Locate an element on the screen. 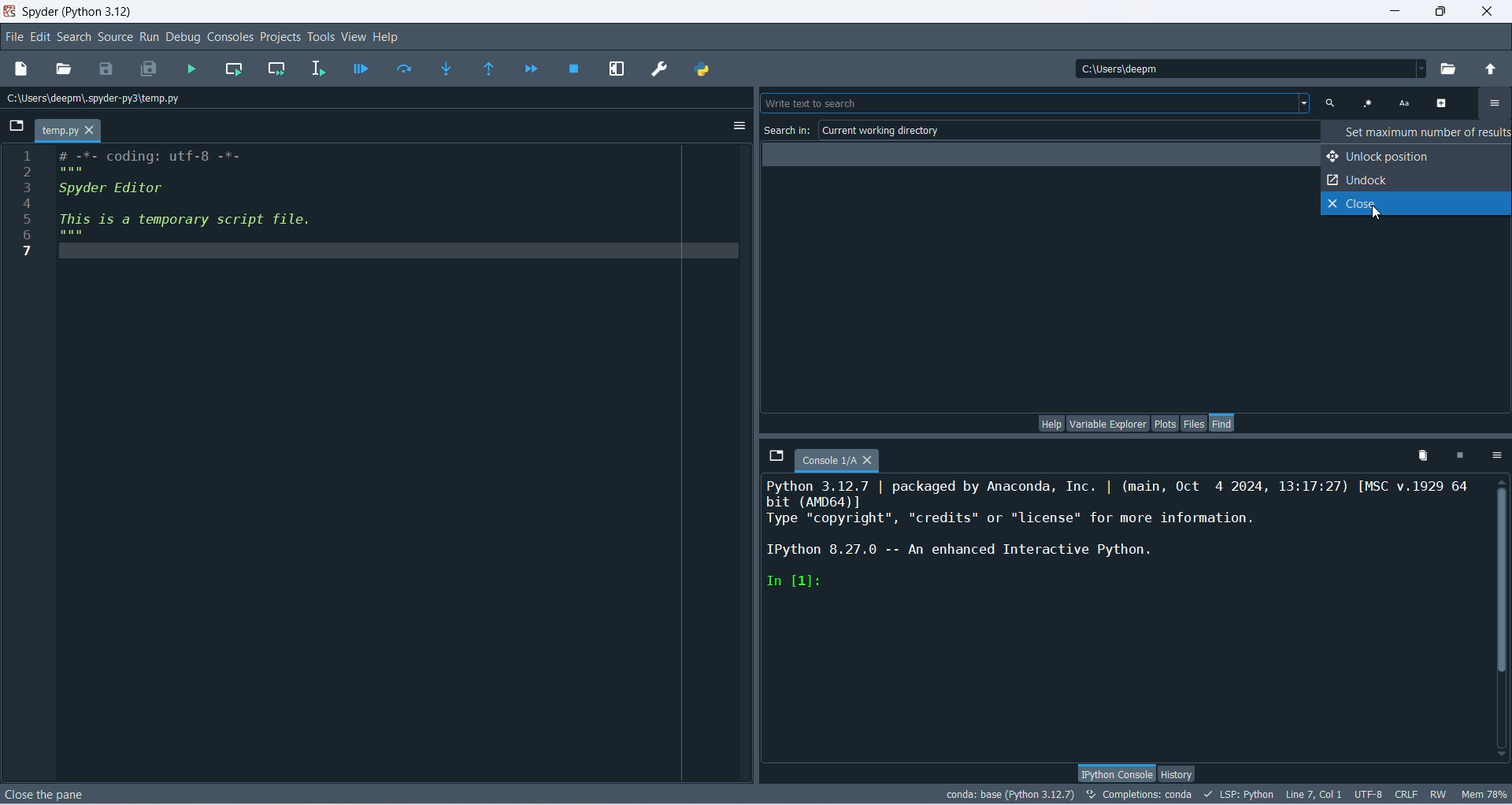 The height and width of the screenshot is (805, 1512). run current line is located at coordinates (405, 67).